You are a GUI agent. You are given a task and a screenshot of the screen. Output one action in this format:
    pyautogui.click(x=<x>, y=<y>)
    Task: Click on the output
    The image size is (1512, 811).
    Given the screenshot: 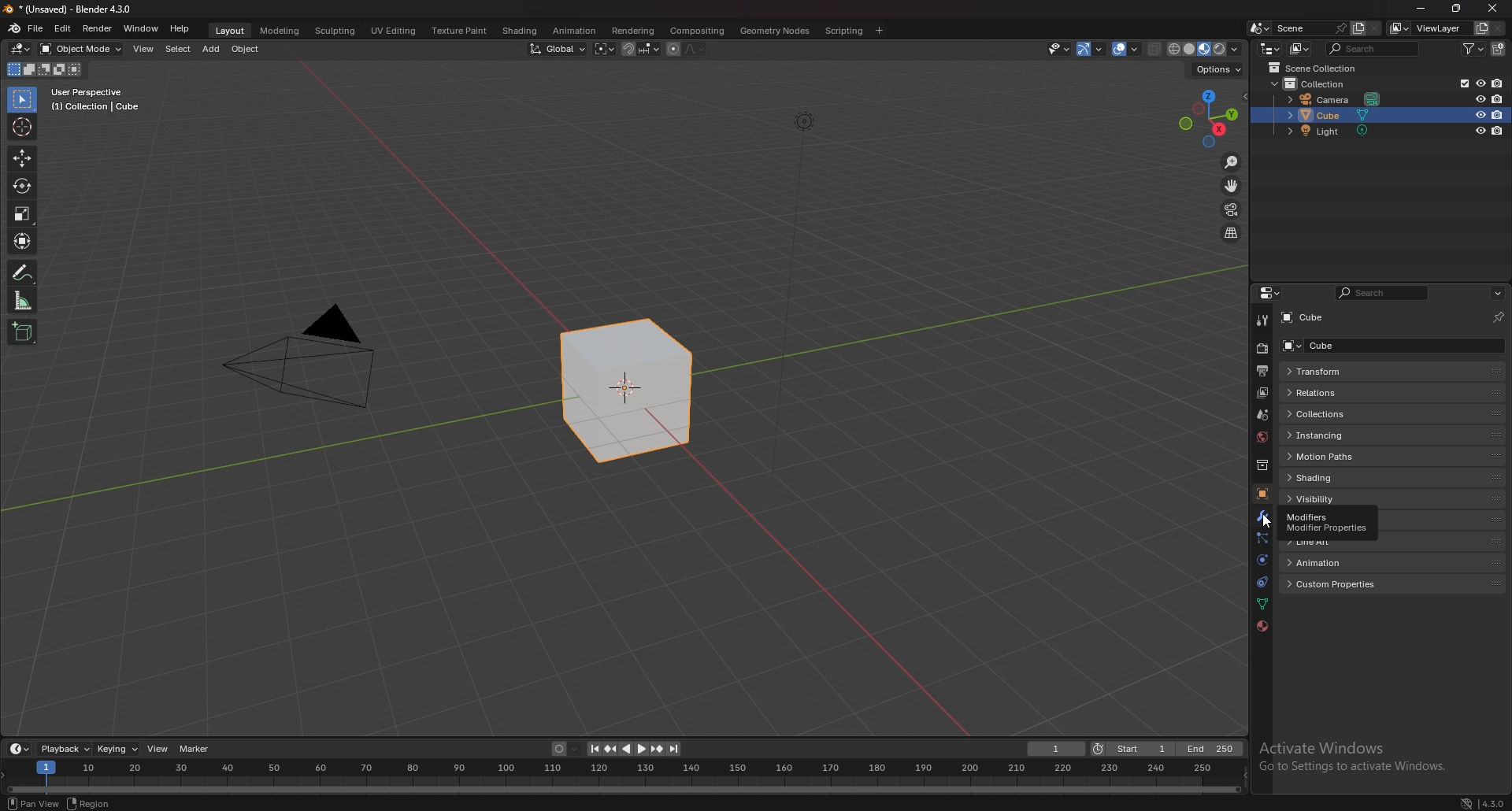 What is the action you would take?
    pyautogui.click(x=1261, y=371)
    